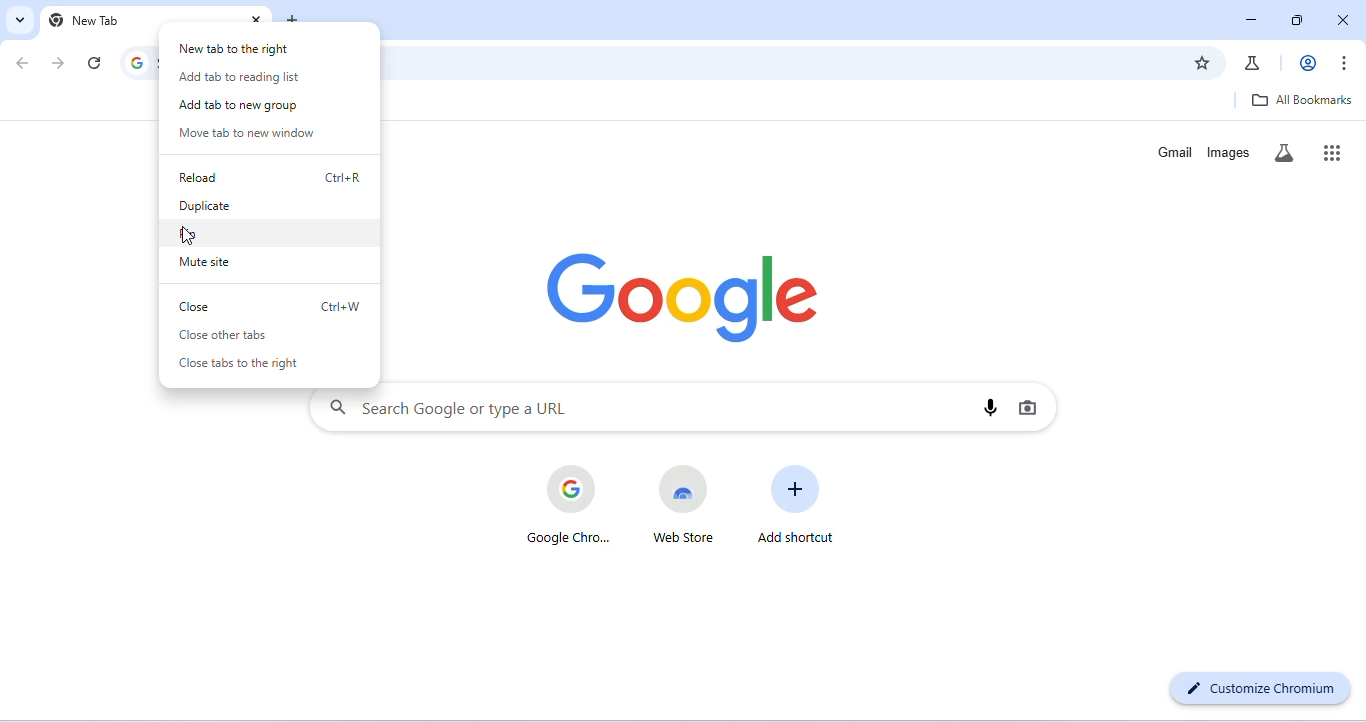 Image resolution: width=1366 pixels, height=722 pixels. I want to click on customize chromium, so click(1262, 686).